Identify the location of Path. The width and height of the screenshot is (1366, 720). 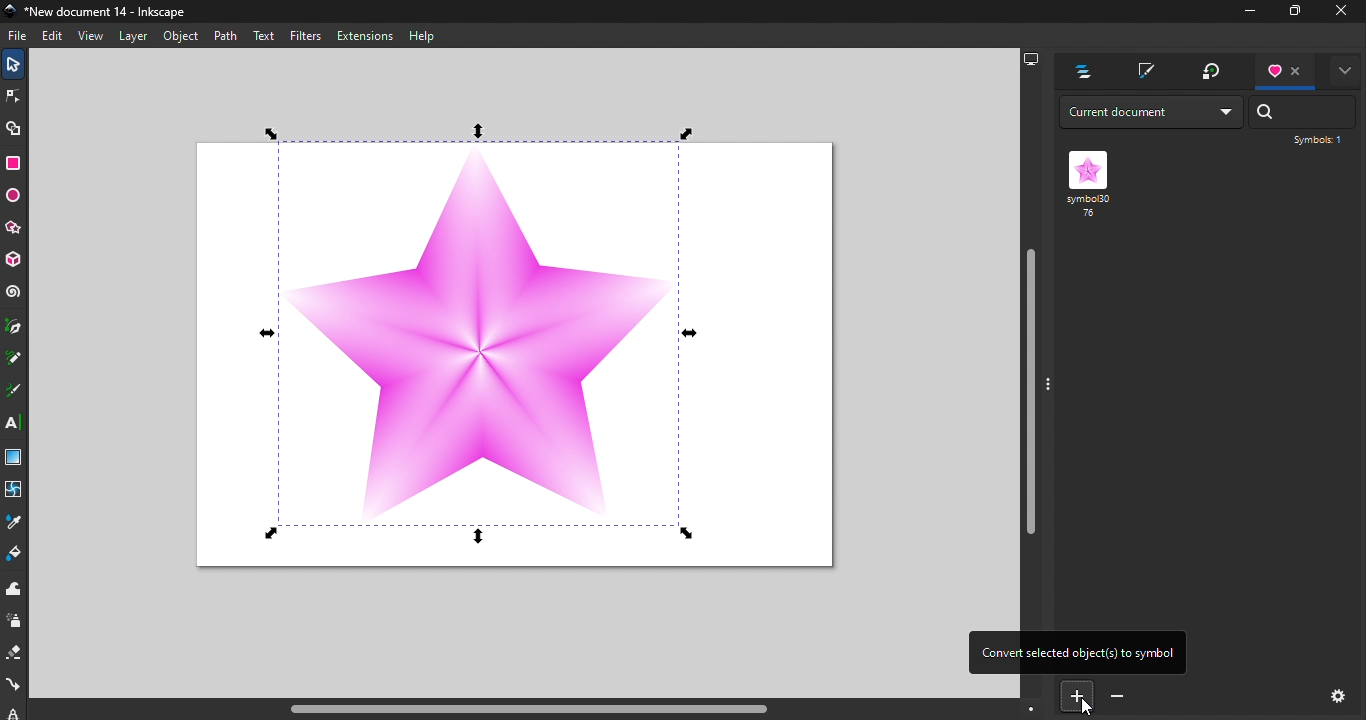
(224, 34).